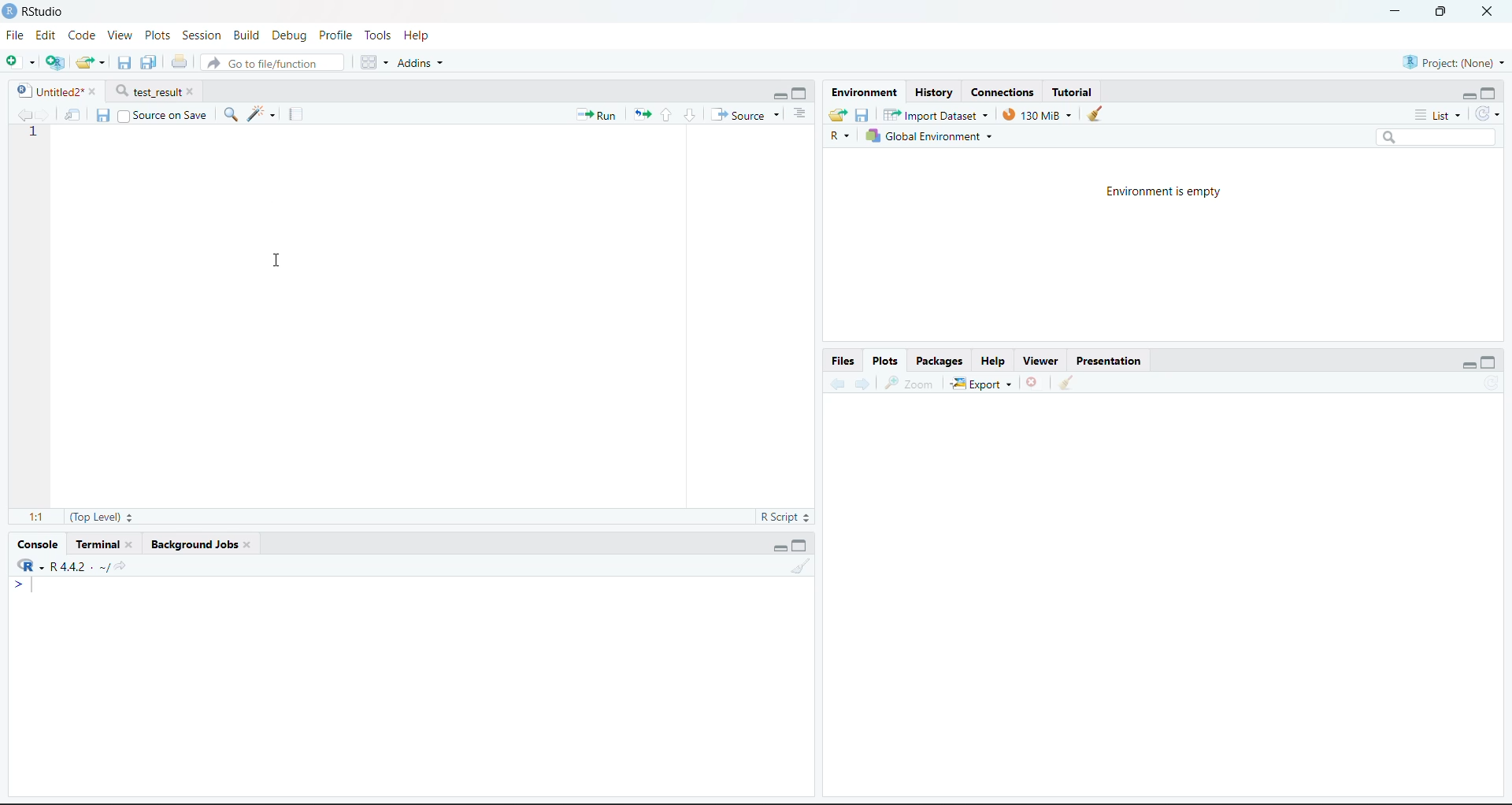 The width and height of the screenshot is (1512, 805). What do you see at coordinates (106, 541) in the screenshot?
I see `Terminal` at bounding box center [106, 541].